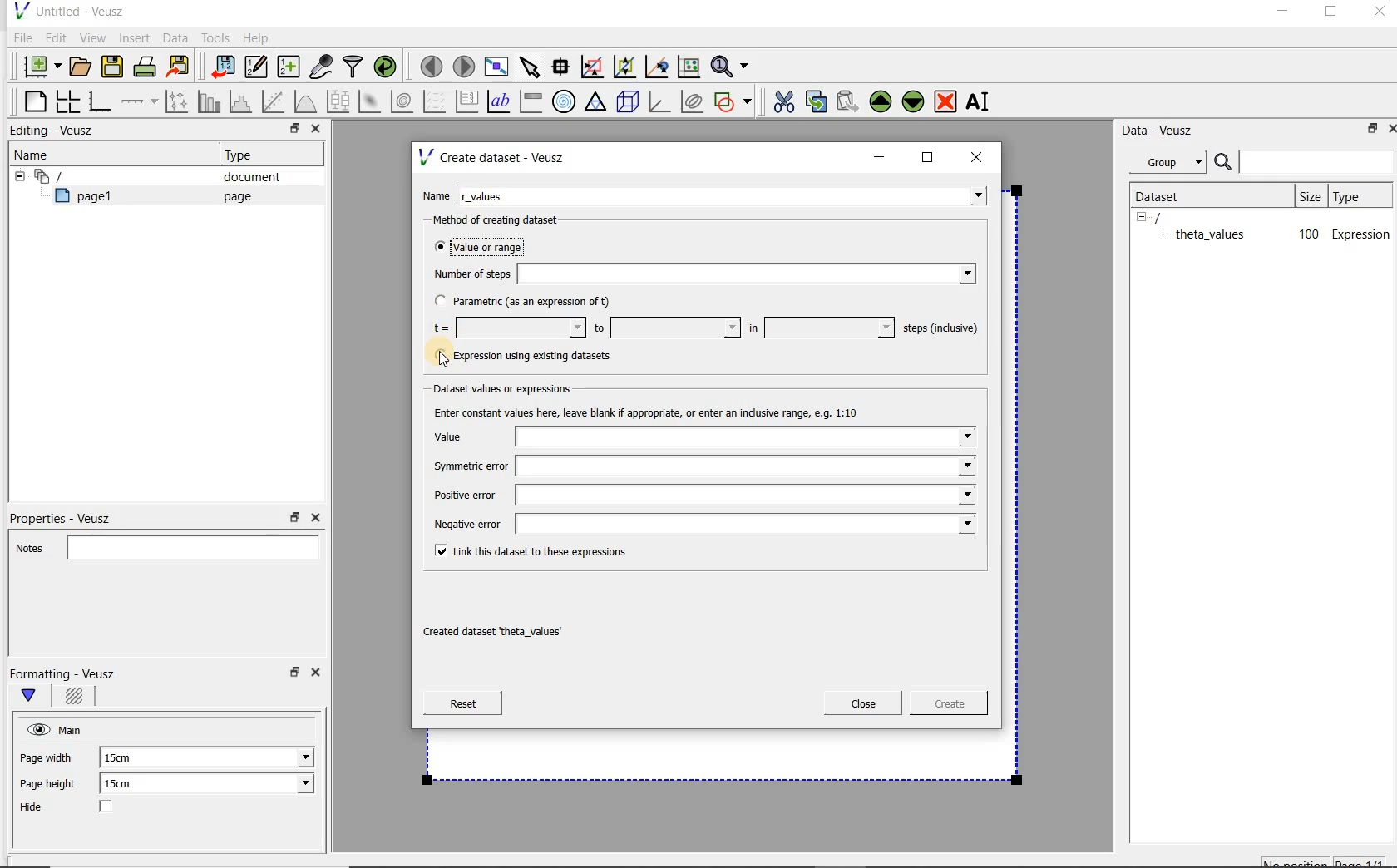 This screenshot has width=1397, height=868. What do you see at coordinates (493, 244) in the screenshot?
I see `Value or range` at bounding box center [493, 244].